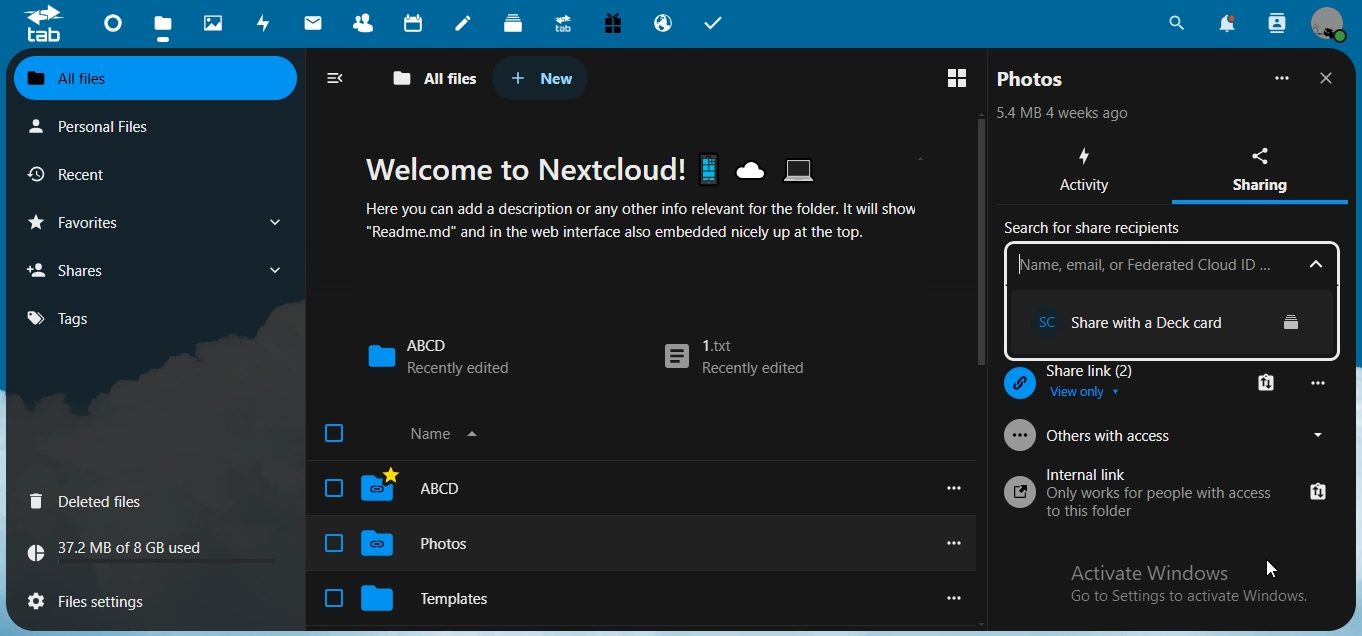 This screenshot has height=636, width=1362. I want to click on share link, so click(1103, 387).